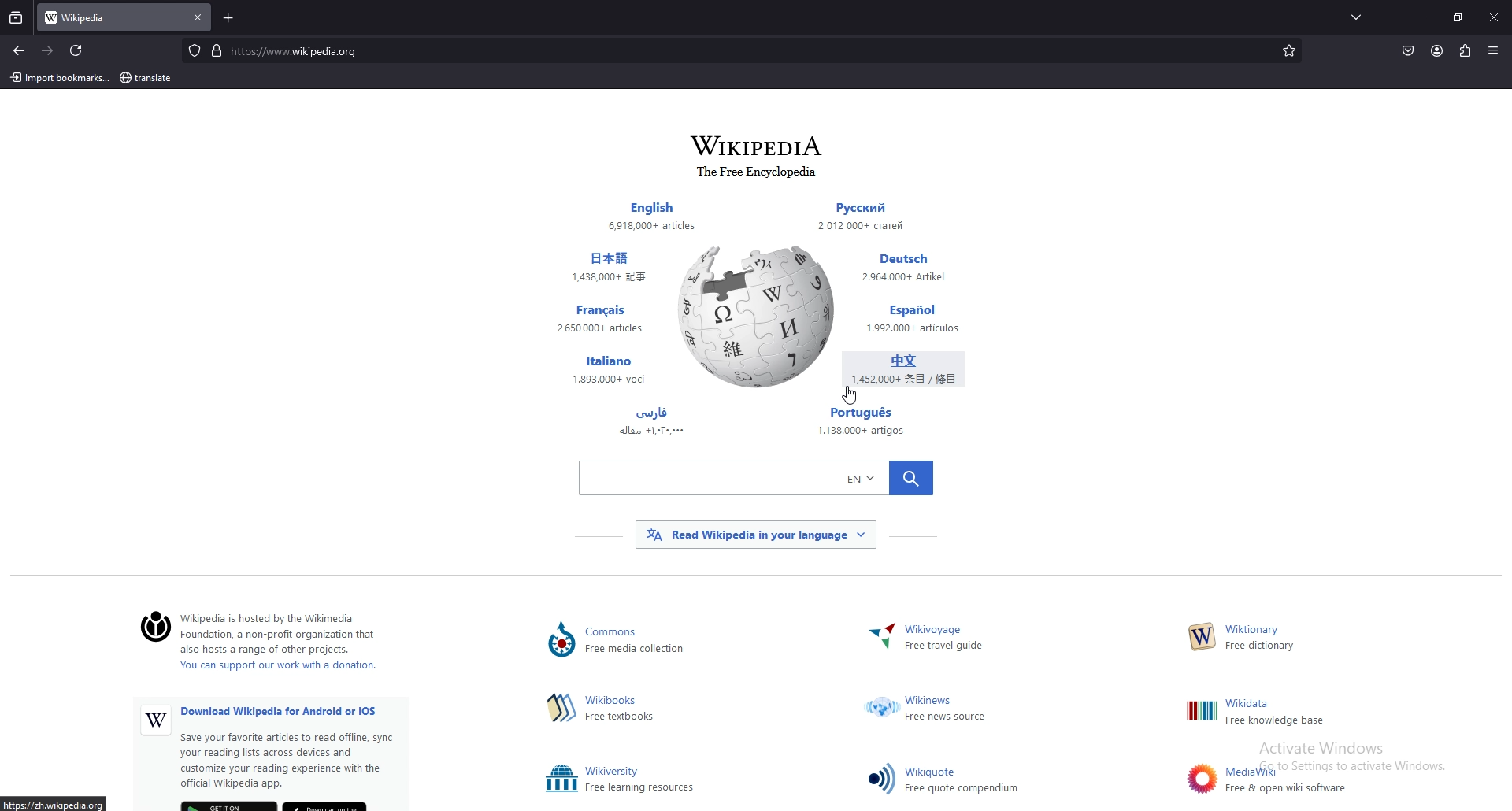 The image size is (1512, 811). I want to click on , so click(879, 639).